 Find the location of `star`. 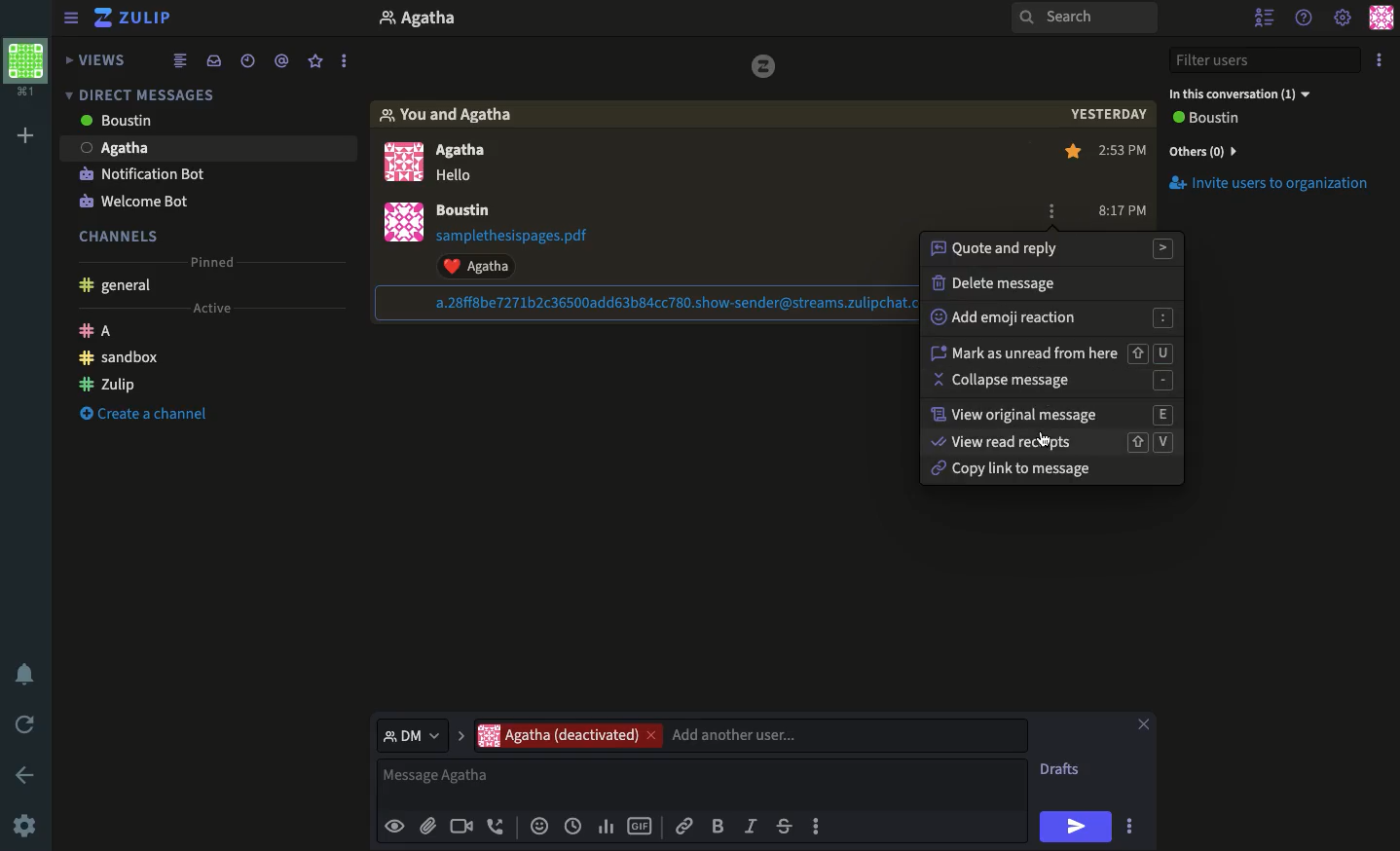

star is located at coordinates (1074, 154).